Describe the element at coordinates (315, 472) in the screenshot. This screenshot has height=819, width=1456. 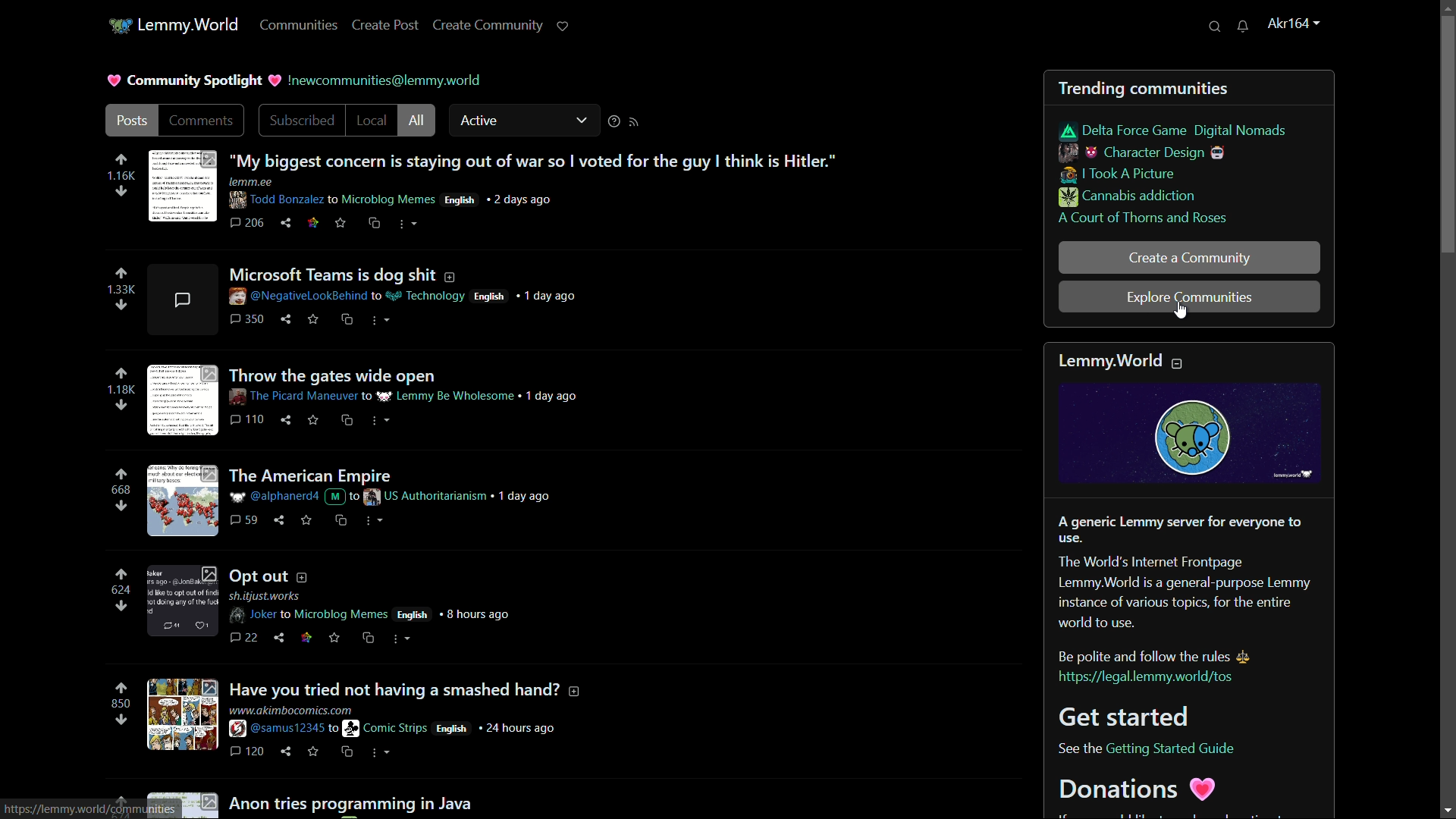
I see `post-4` at that location.